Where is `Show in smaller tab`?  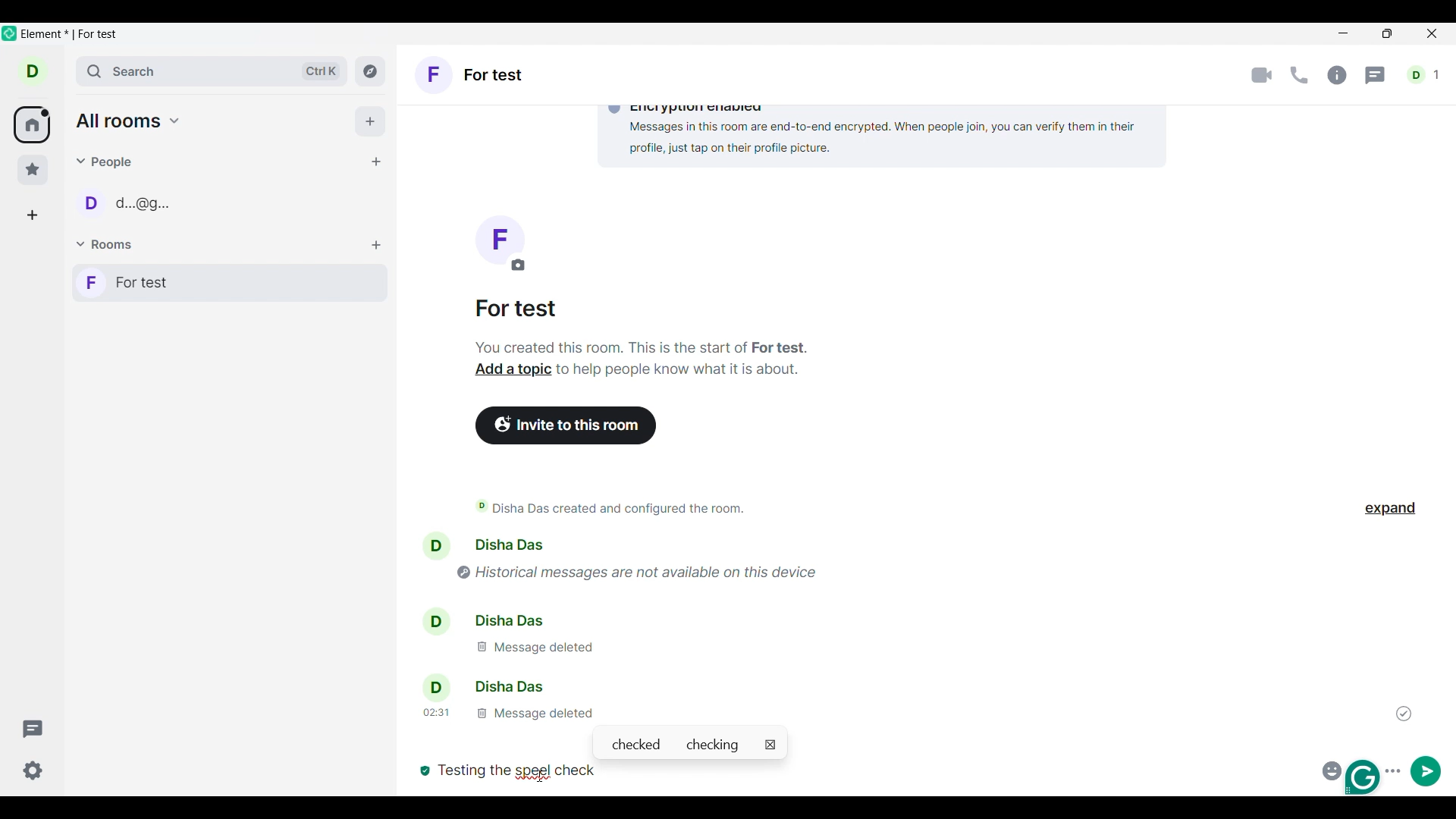 Show in smaller tab is located at coordinates (1387, 33).